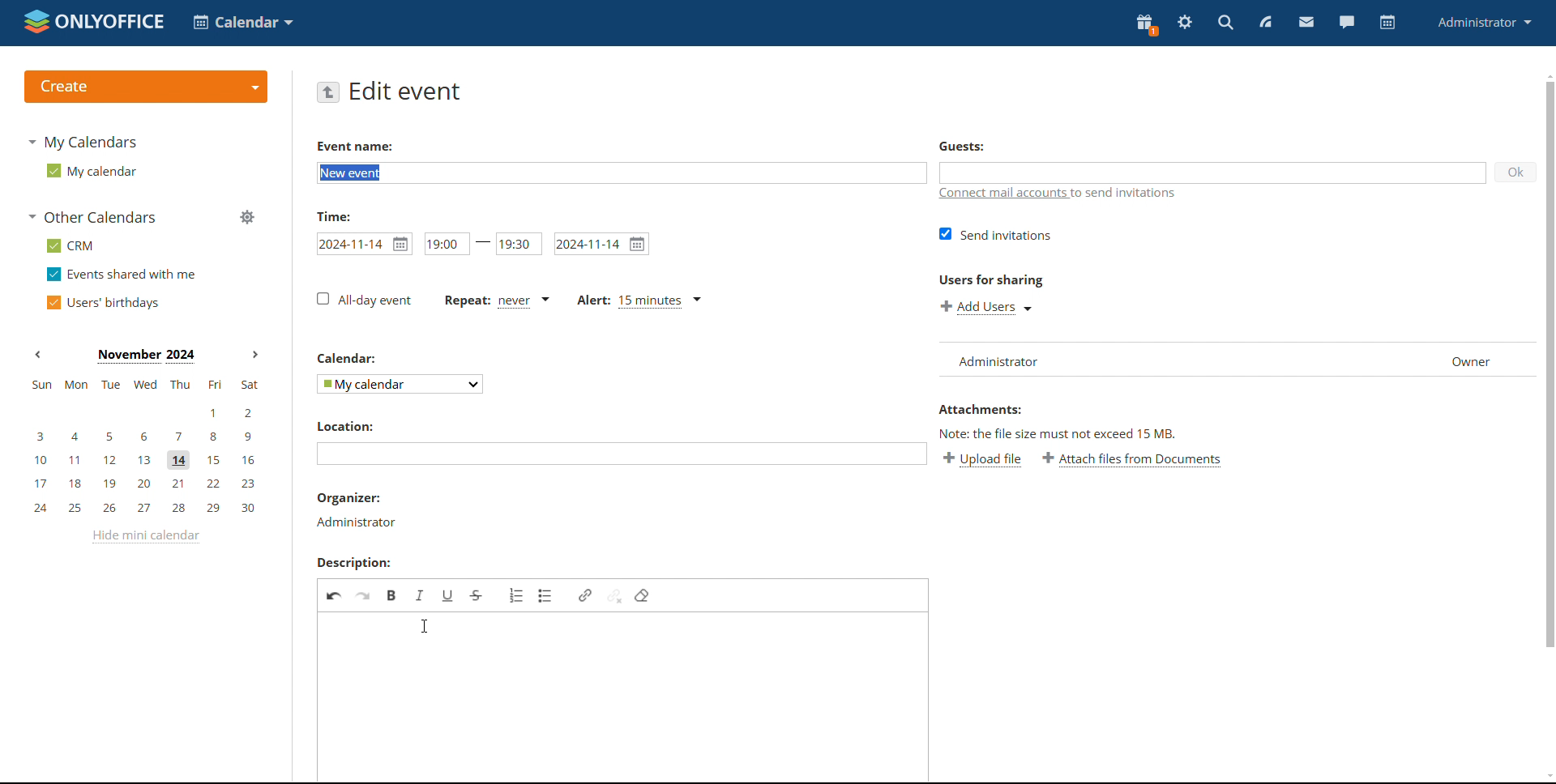  I want to click on administrator, so click(357, 522).